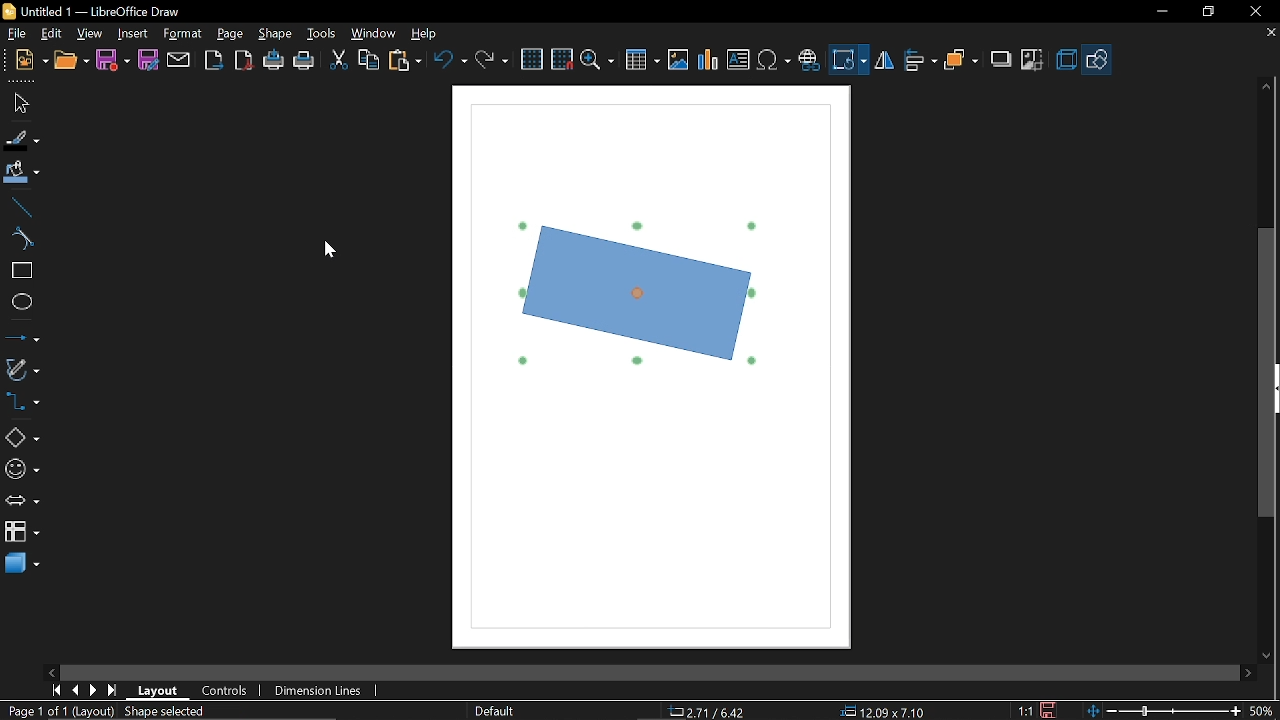  Describe the element at coordinates (1247, 673) in the screenshot. I see `Move right` at that location.